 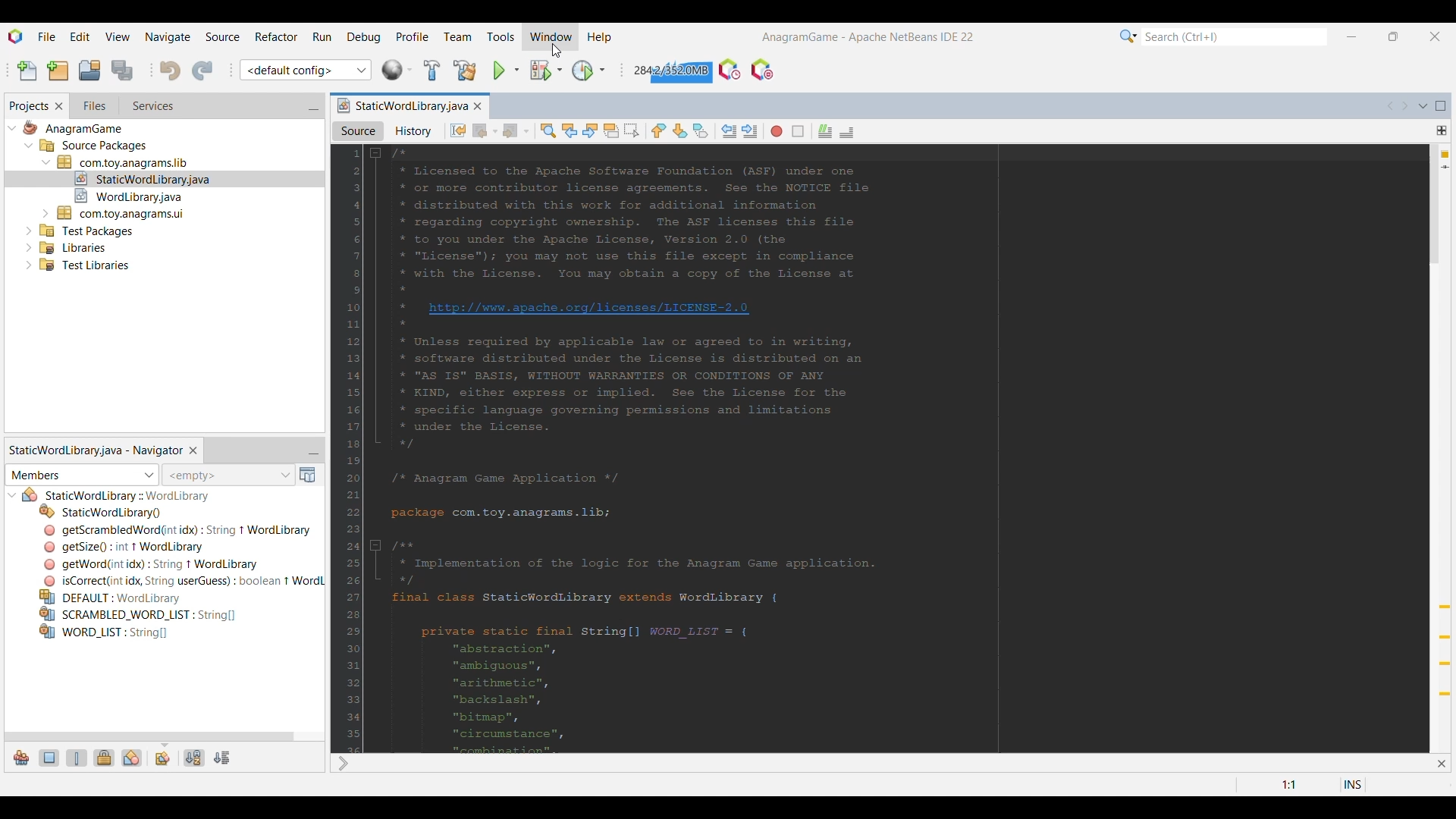 What do you see at coordinates (551, 36) in the screenshot?
I see `Window menu highlighted` at bounding box center [551, 36].